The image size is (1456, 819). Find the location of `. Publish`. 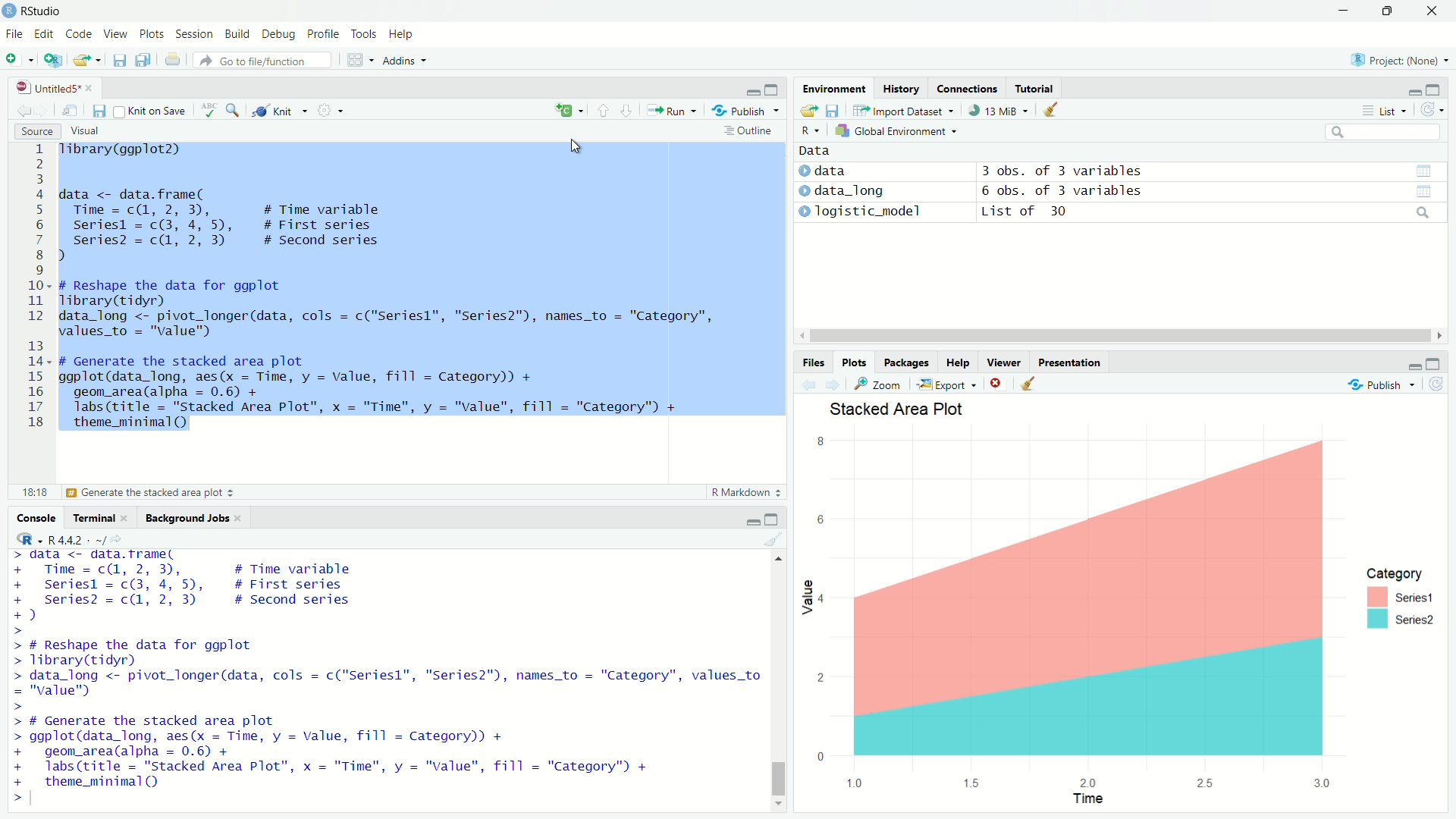

. Publish is located at coordinates (1377, 384).